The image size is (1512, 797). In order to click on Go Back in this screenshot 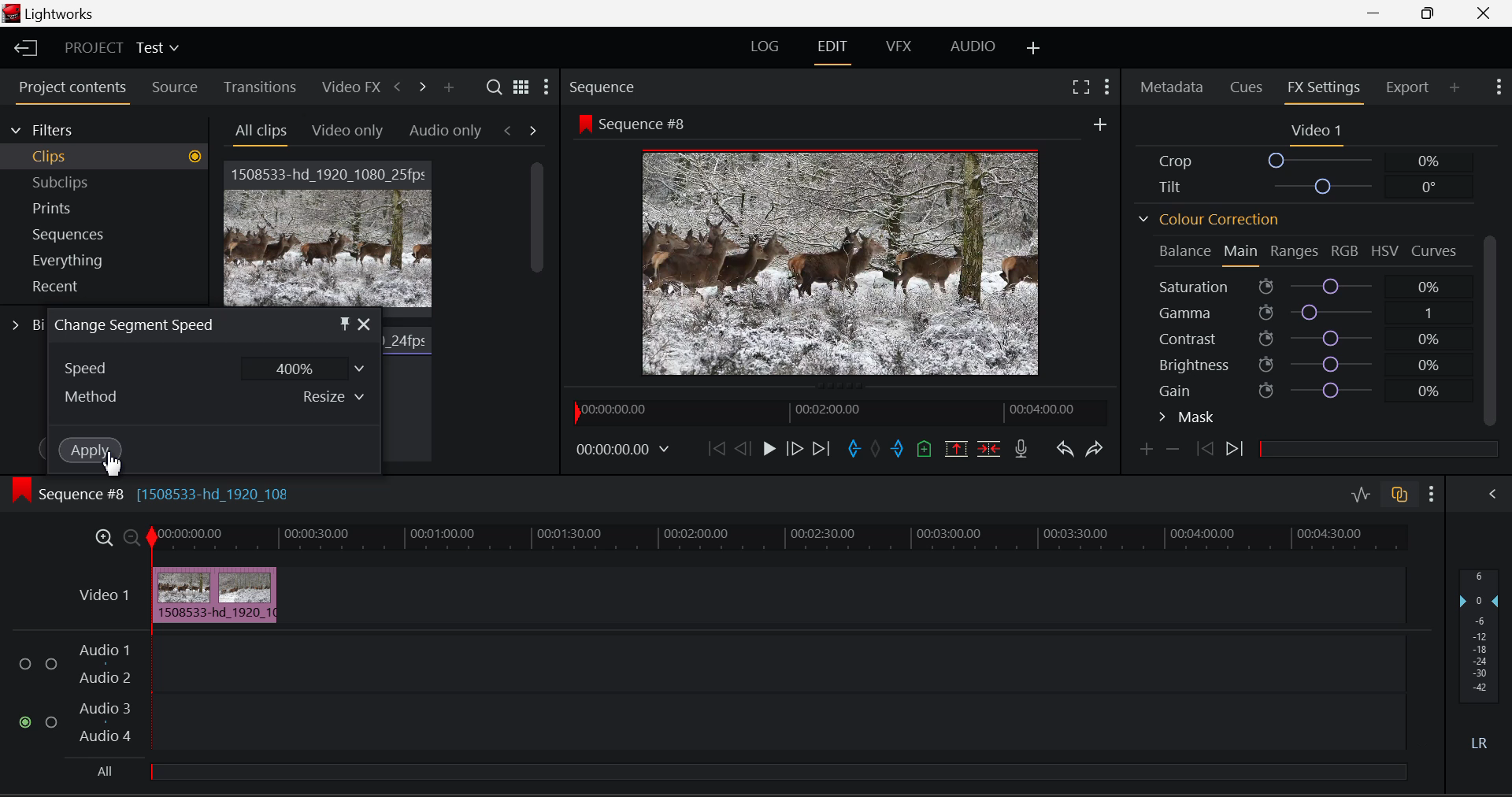, I will do `click(743, 449)`.